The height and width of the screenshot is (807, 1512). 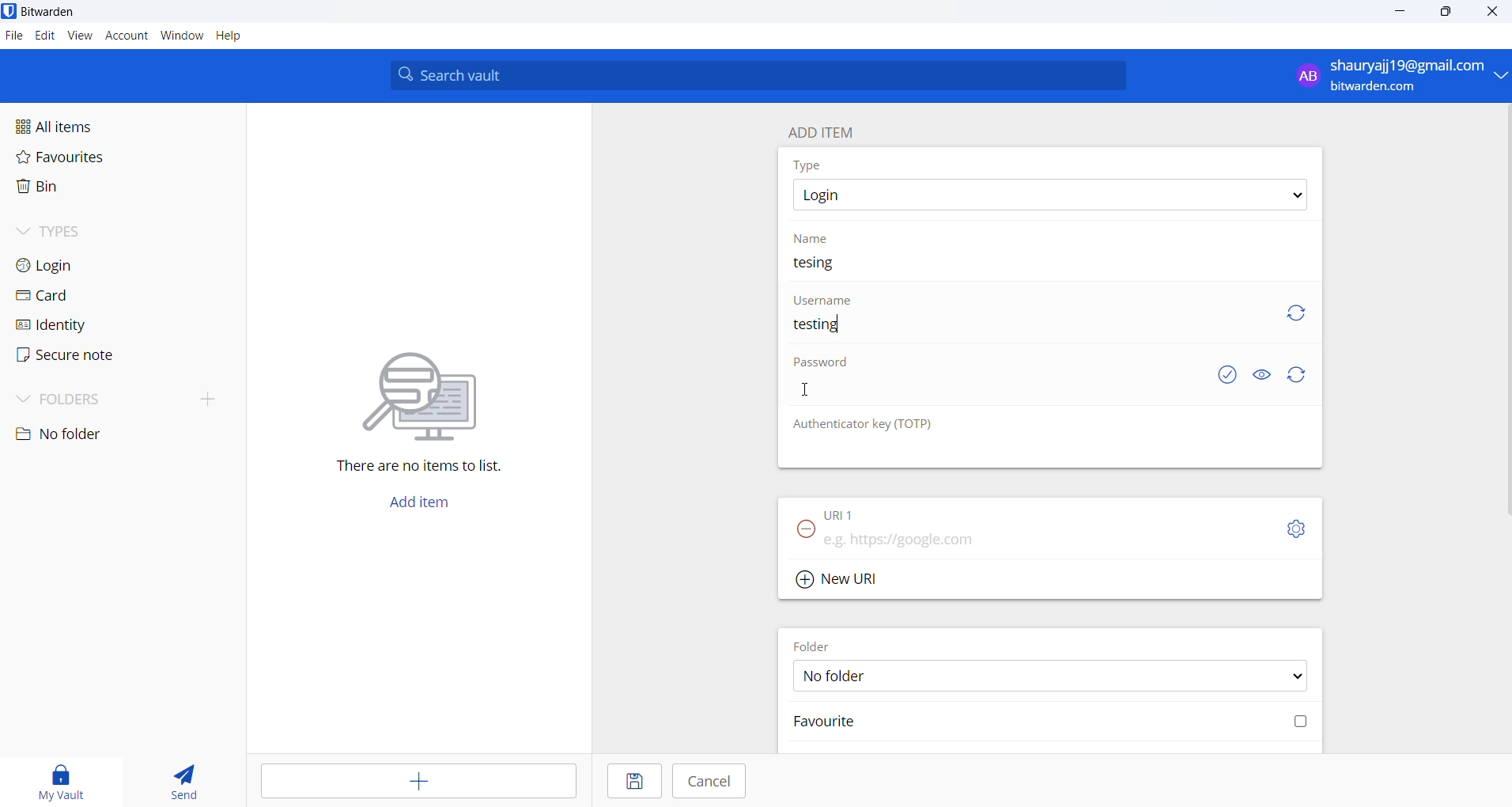 What do you see at coordinates (409, 468) in the screenshot?
I see `sentence mentioning that there are no items in vault l` at bounding box center [409, 468].